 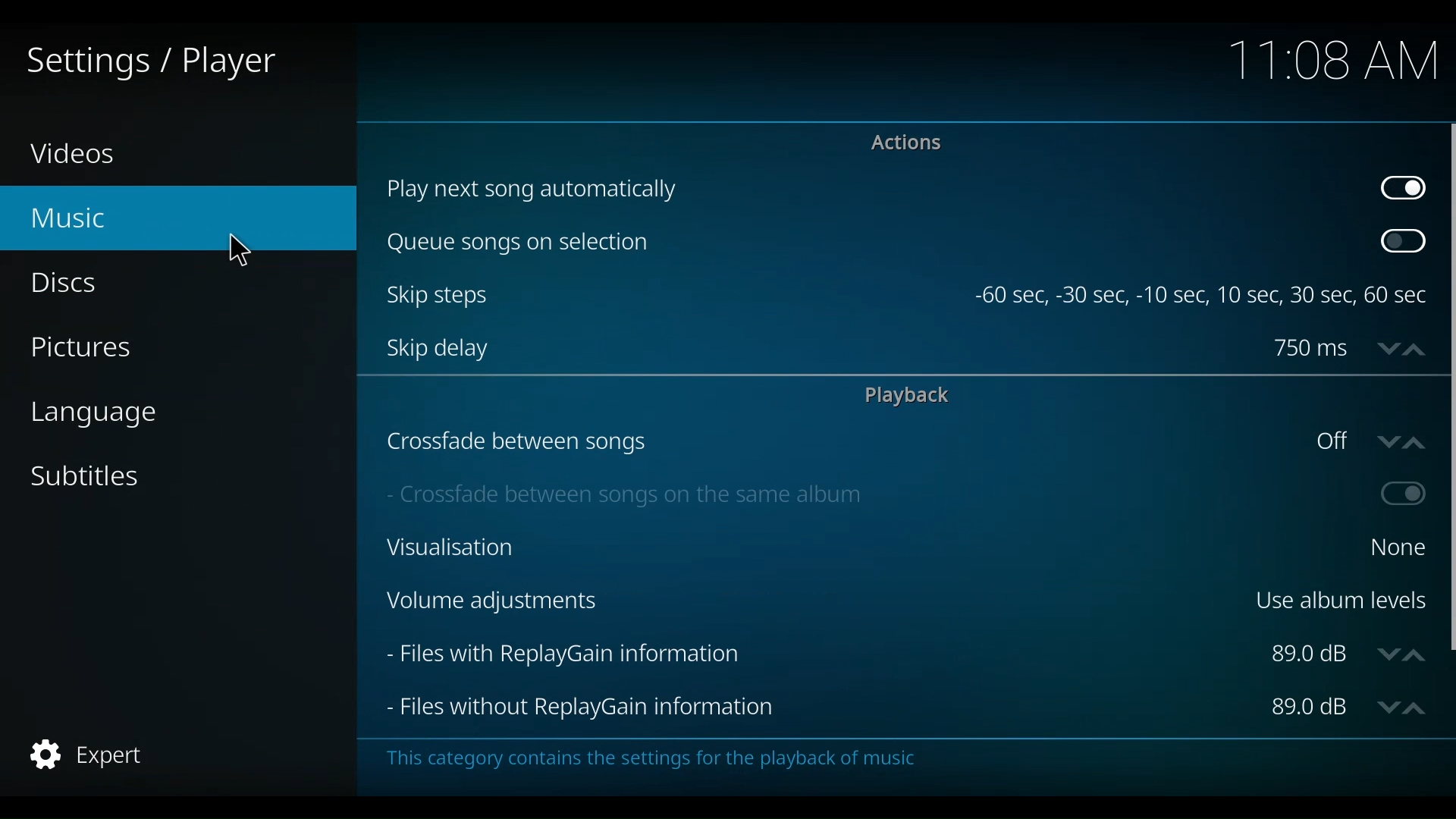 What do you see at coordinates (1392, 547) in the screenshot?
I see `Select Visualization` at bounding box center [1392, 547].